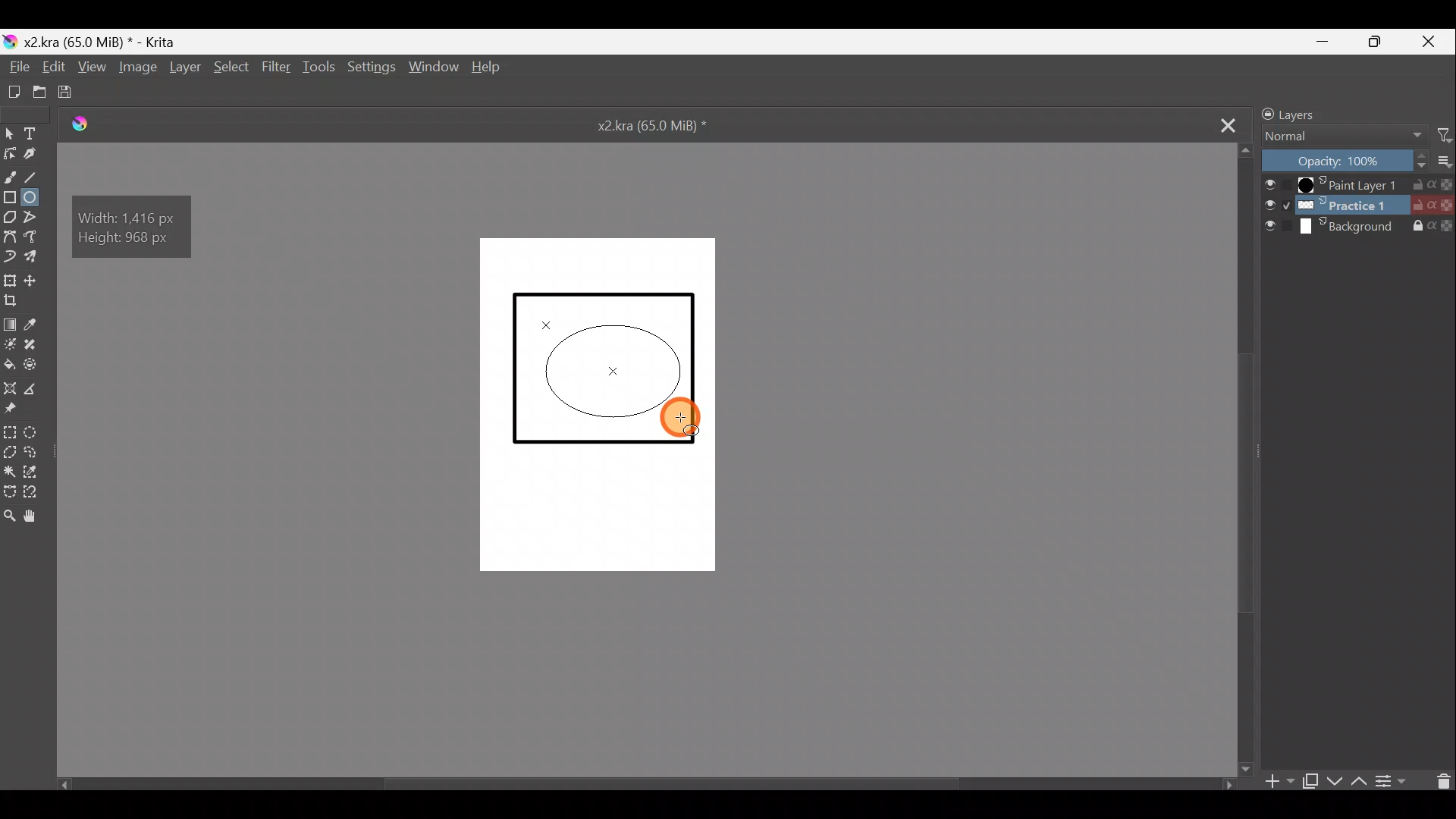  What do you see at coordinates (1335, 776) in the screenshot?
I see `Move layer/mask down` at bounding box center [1335, 776].